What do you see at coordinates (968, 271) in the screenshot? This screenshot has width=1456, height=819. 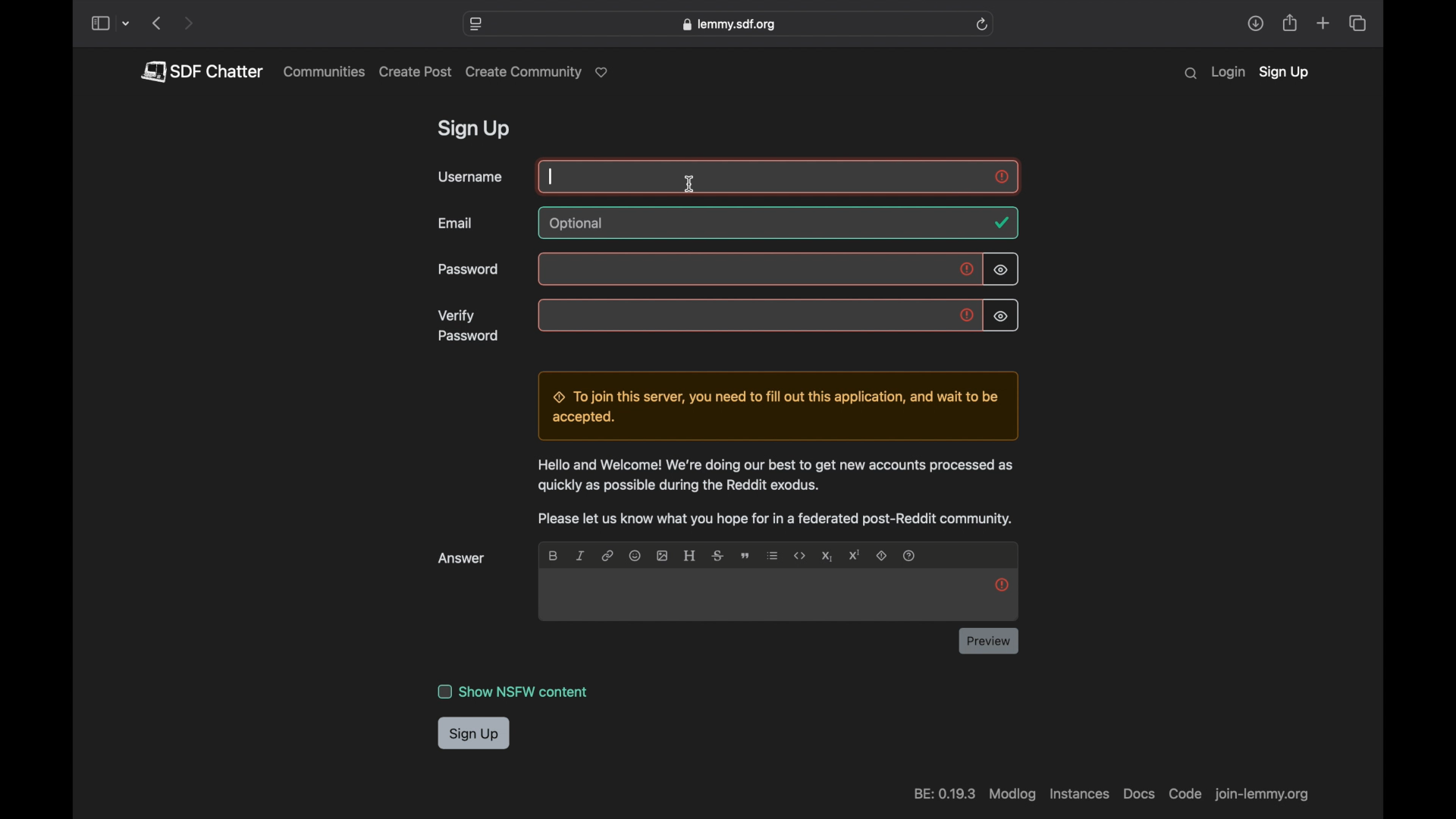 I see `exclamation` at bounding box center [968, 271].